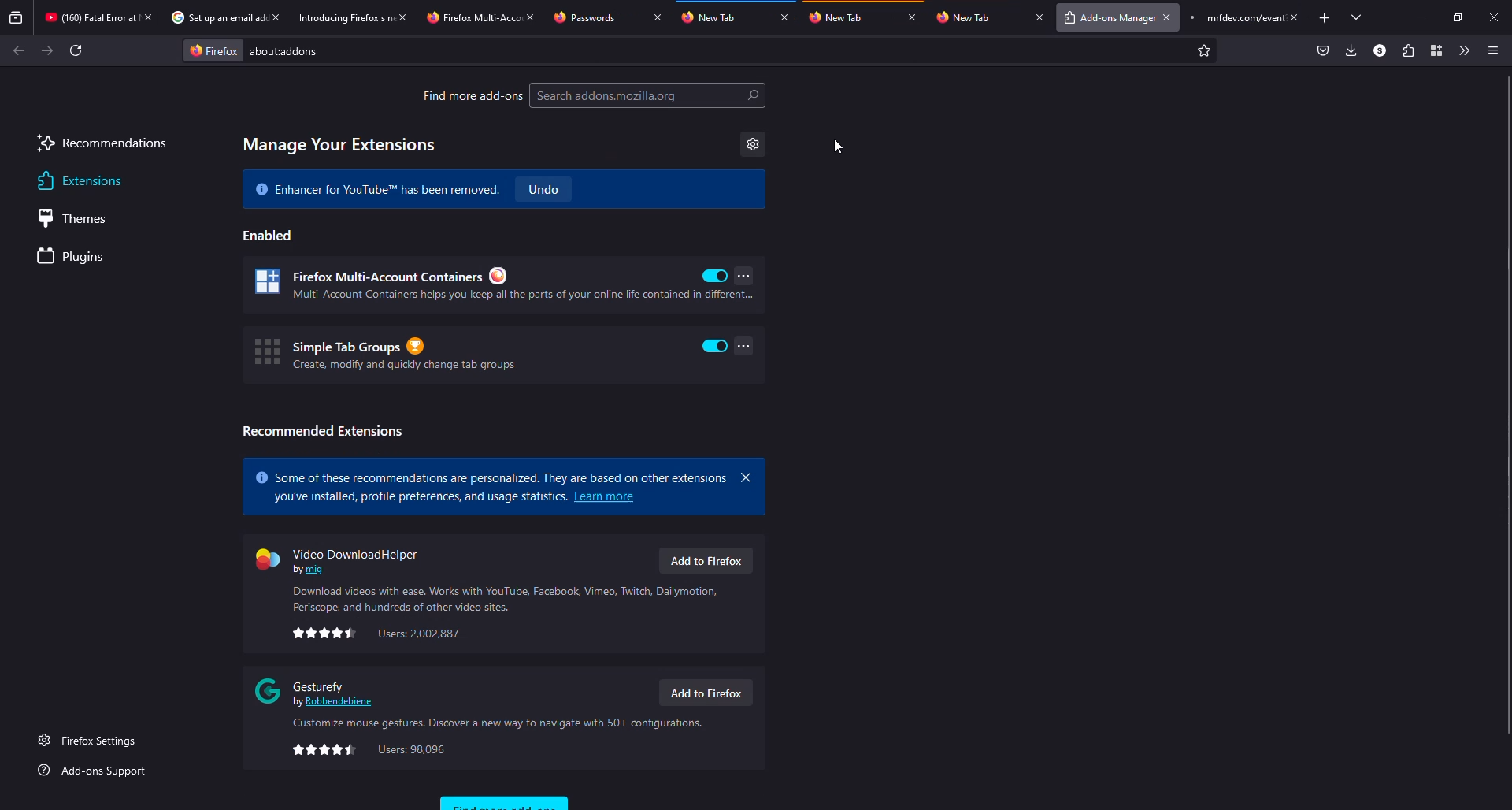 This screenshot has height=810, width=1512. Describe the element at coordinates (402, 17) in the screenshot. I see `close` at that location.